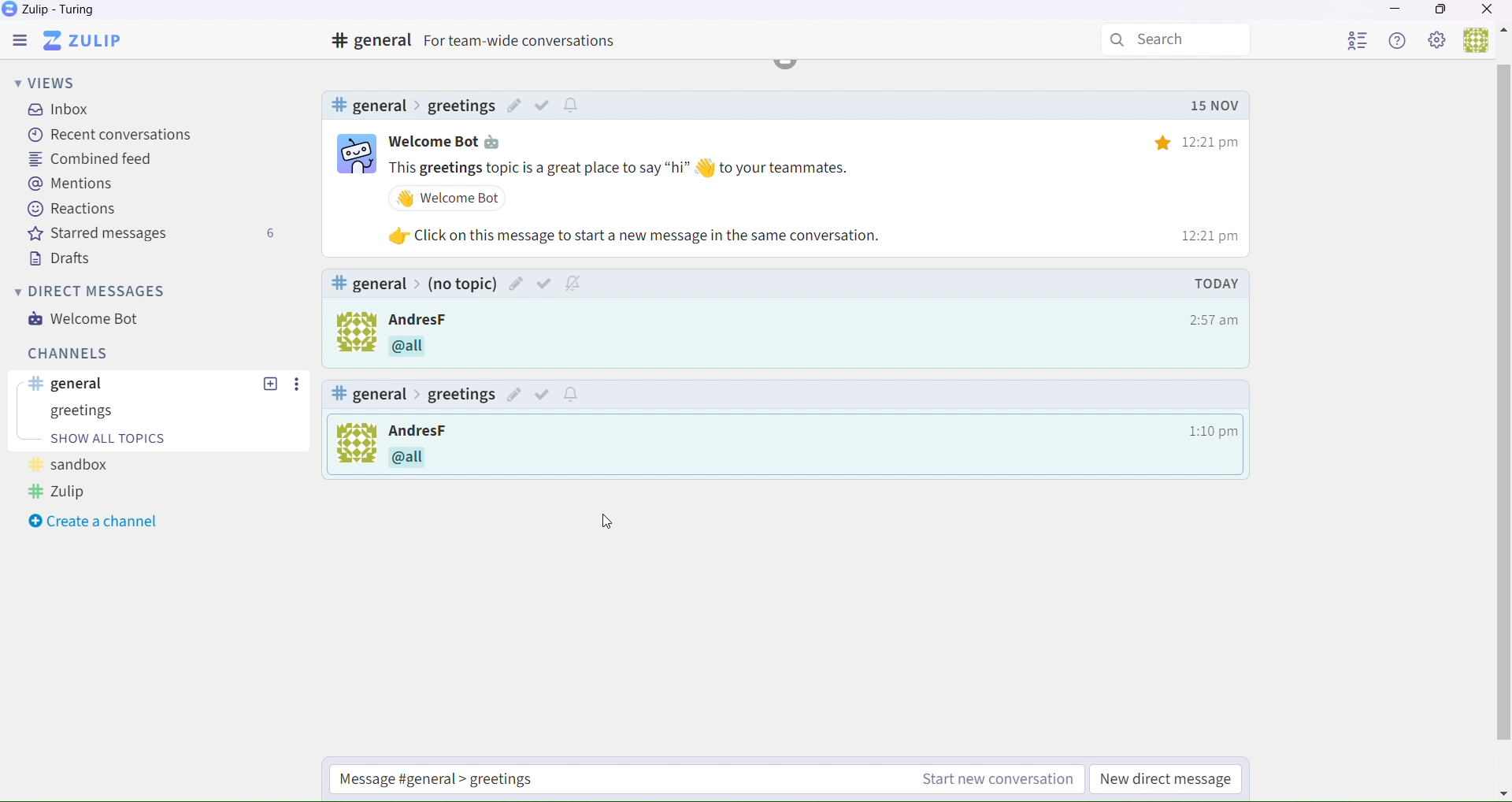 Image resolution: width=1512 pixels, height=802 pixels. I want to click on General, so click(79, 384).